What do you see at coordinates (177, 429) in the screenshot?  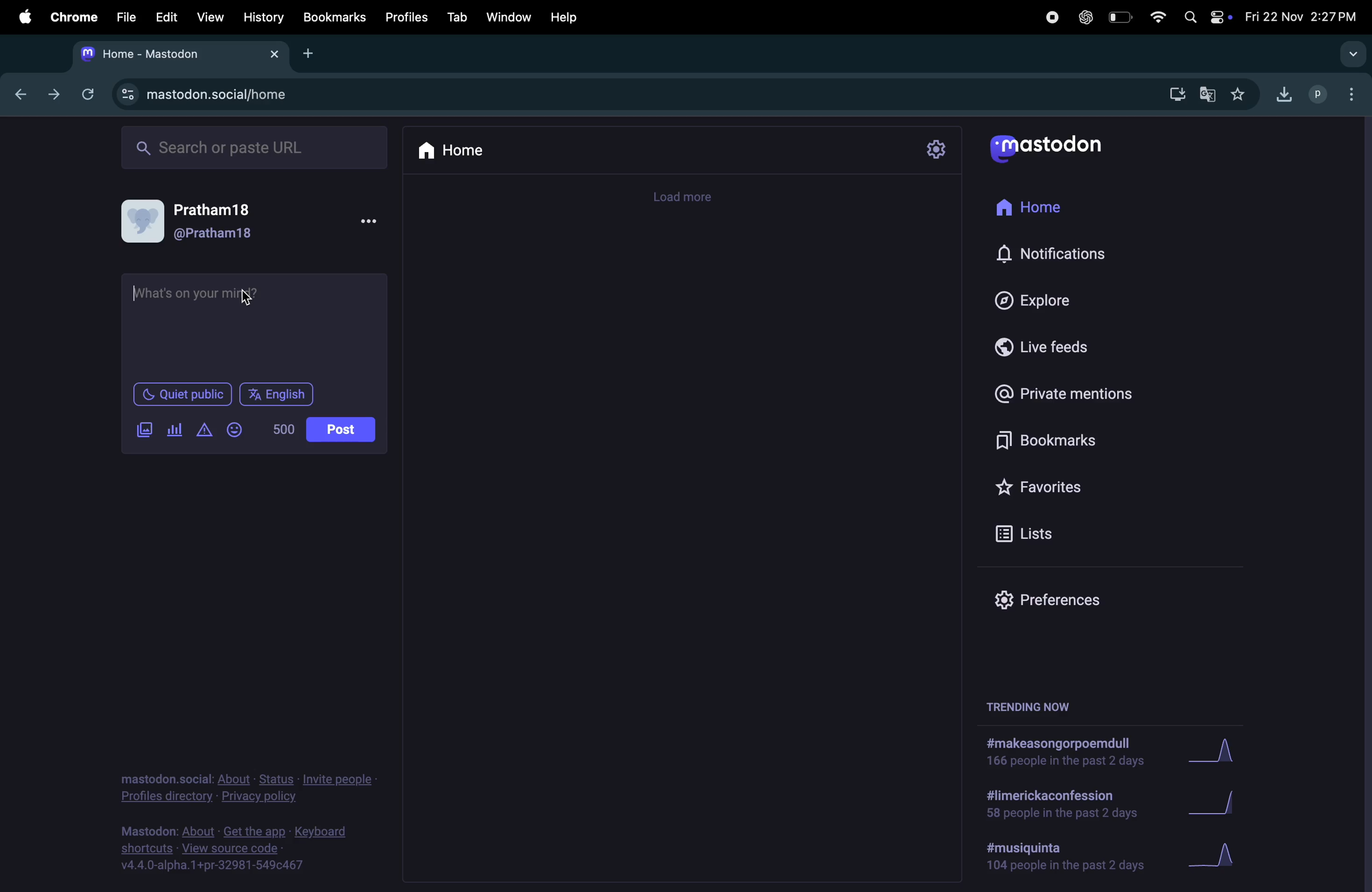 I see `pool` at bounding box center [177, 429].